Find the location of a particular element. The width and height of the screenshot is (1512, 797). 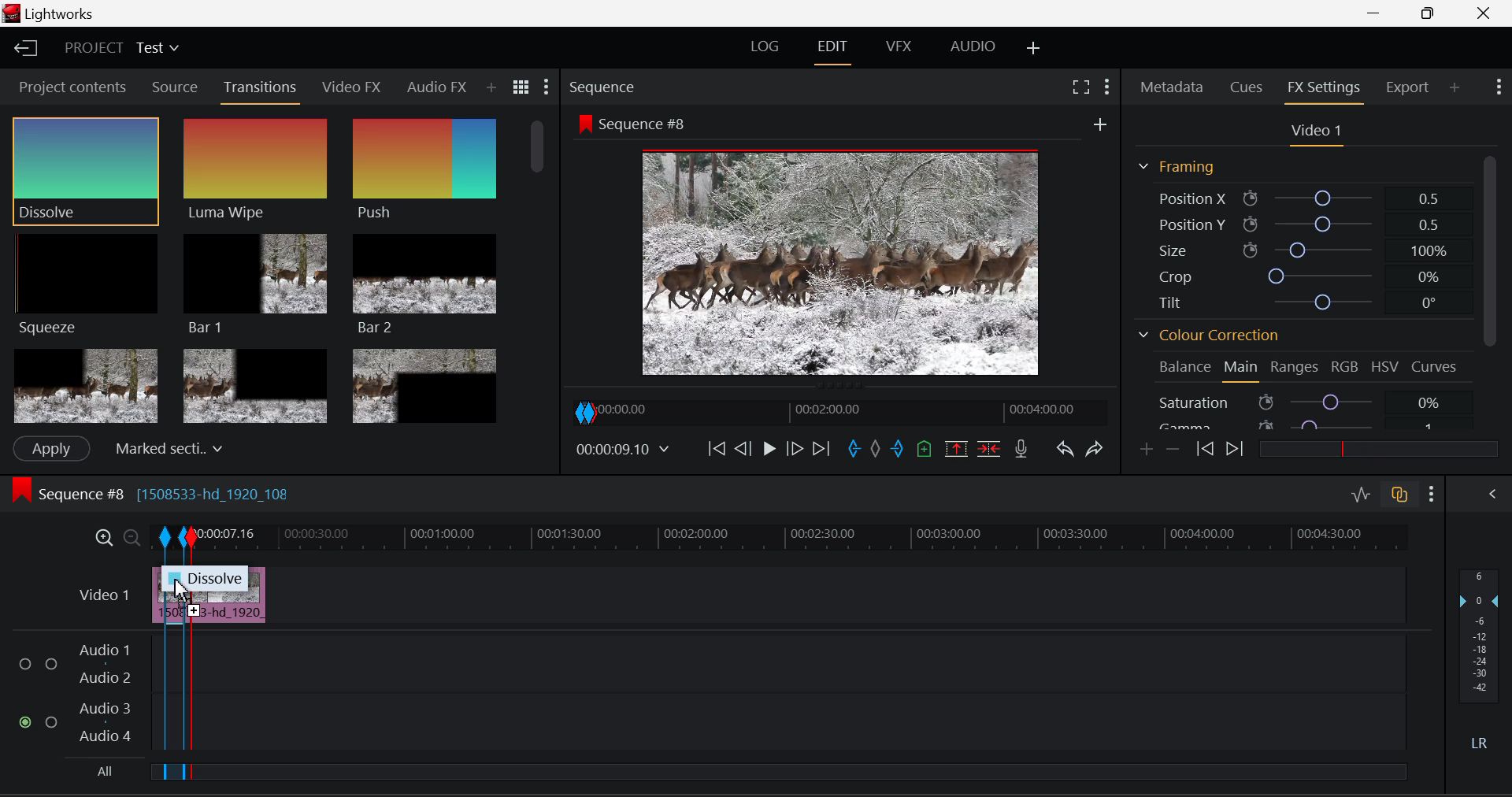

All is located at coordinates (102, 771).